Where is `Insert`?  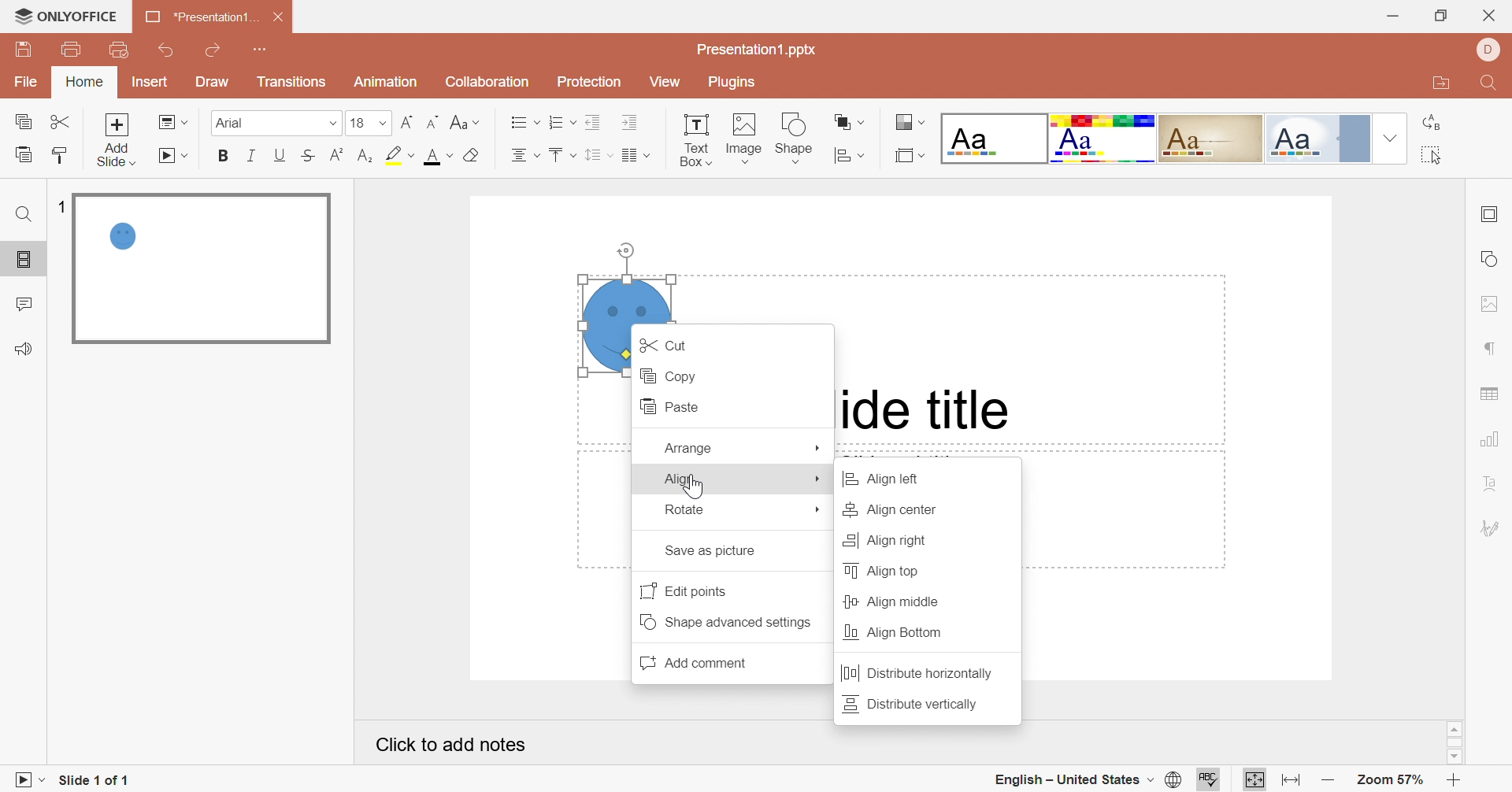 Insert is located at coordinates (150, 83).